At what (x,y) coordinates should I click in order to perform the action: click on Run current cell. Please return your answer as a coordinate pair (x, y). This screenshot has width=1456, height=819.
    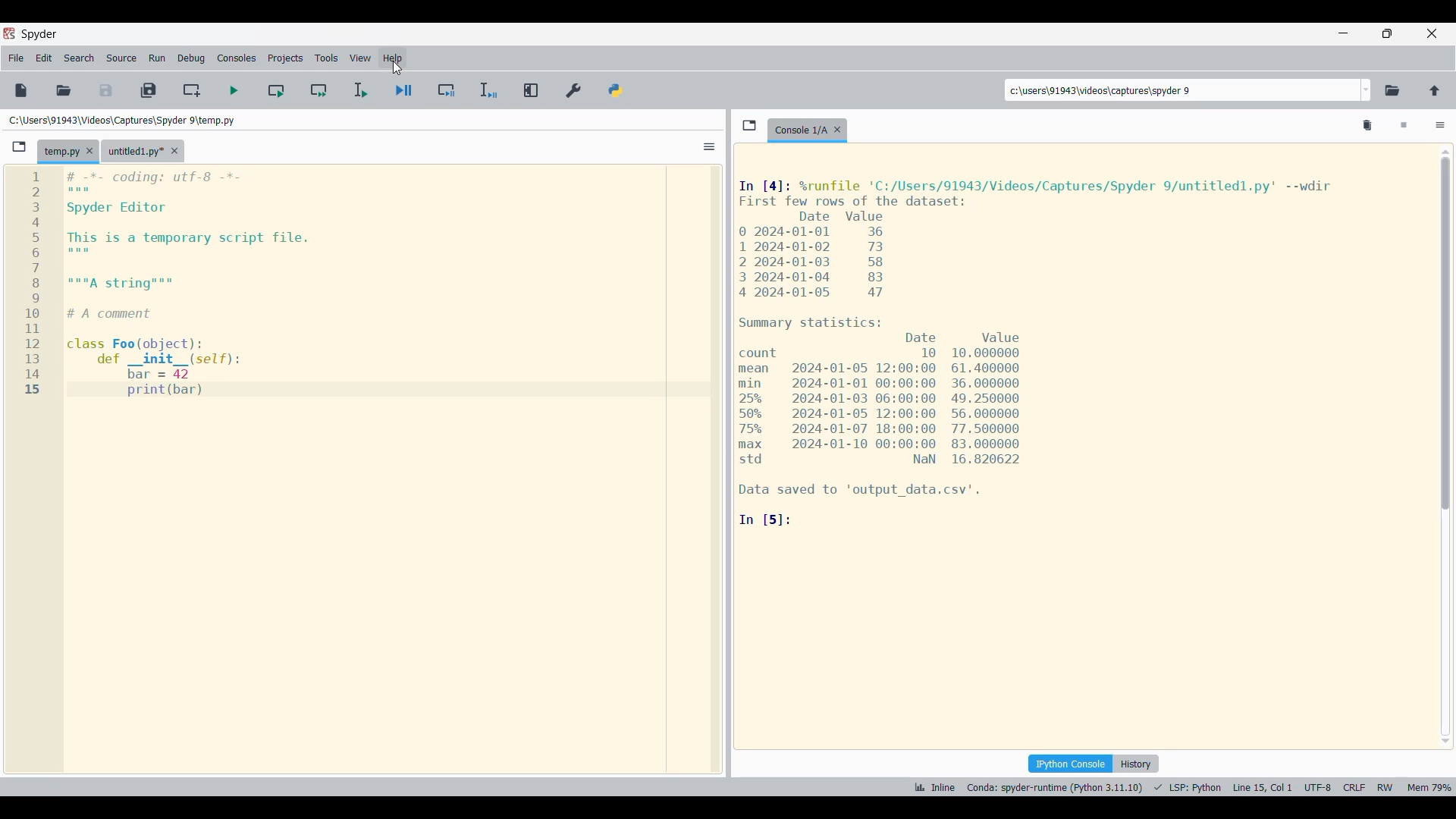
    Looking at the image, I should click on (276, 90).